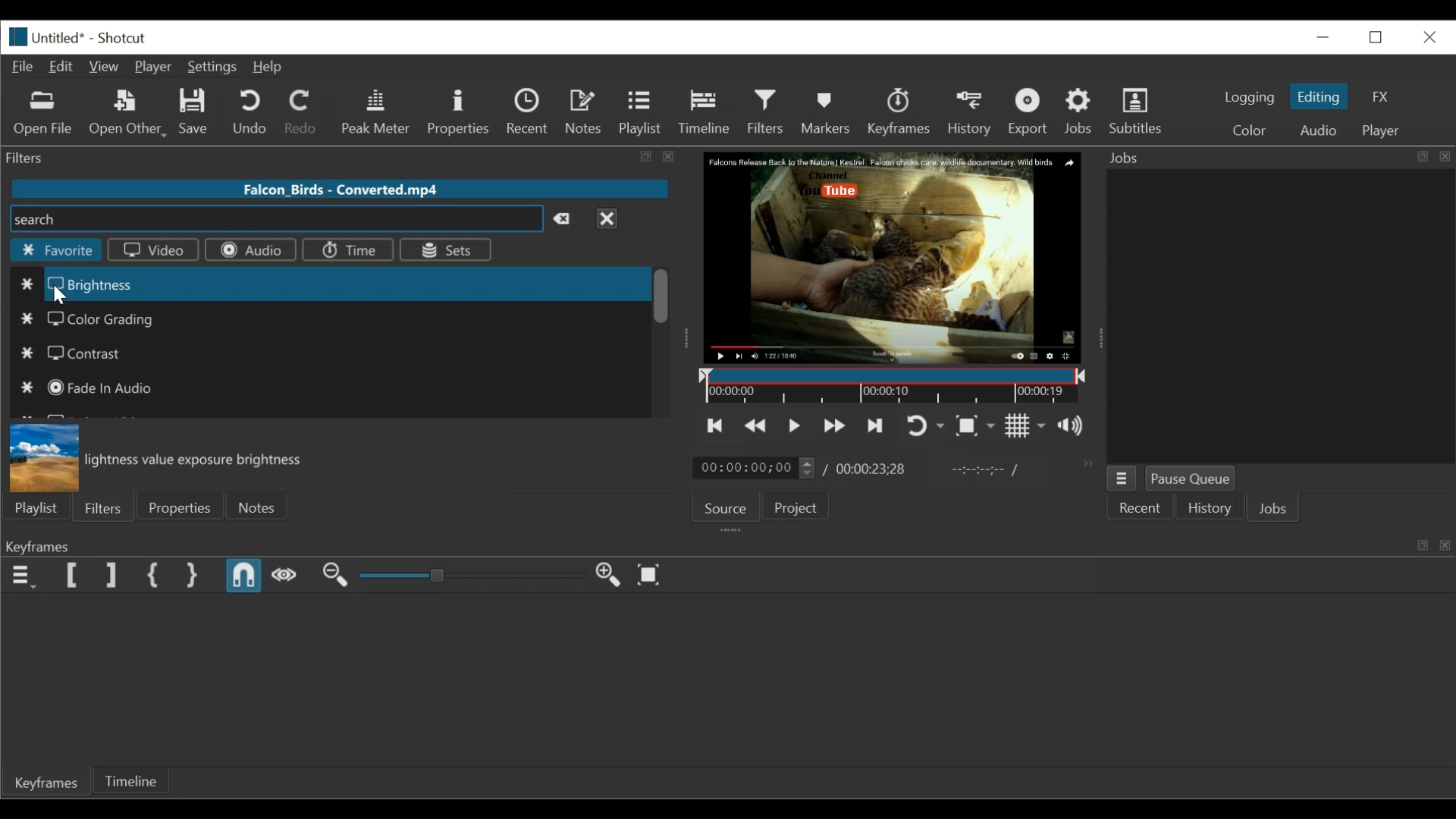 The width and height of the screenshot is (1456, 819). I want to click on Skip to the previous point, so click(716, 425).